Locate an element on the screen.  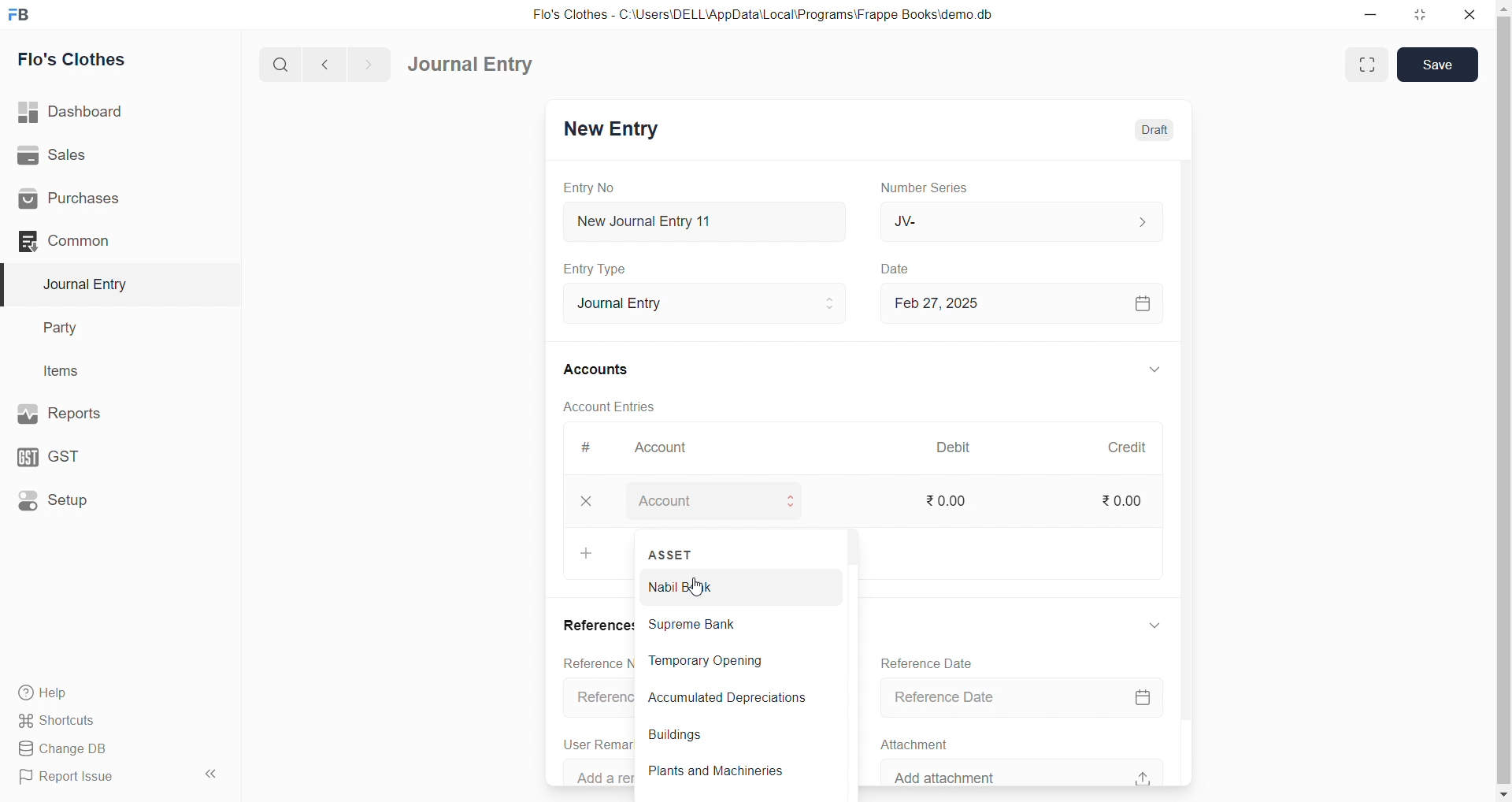
Account is located at coordinates (676, 446).